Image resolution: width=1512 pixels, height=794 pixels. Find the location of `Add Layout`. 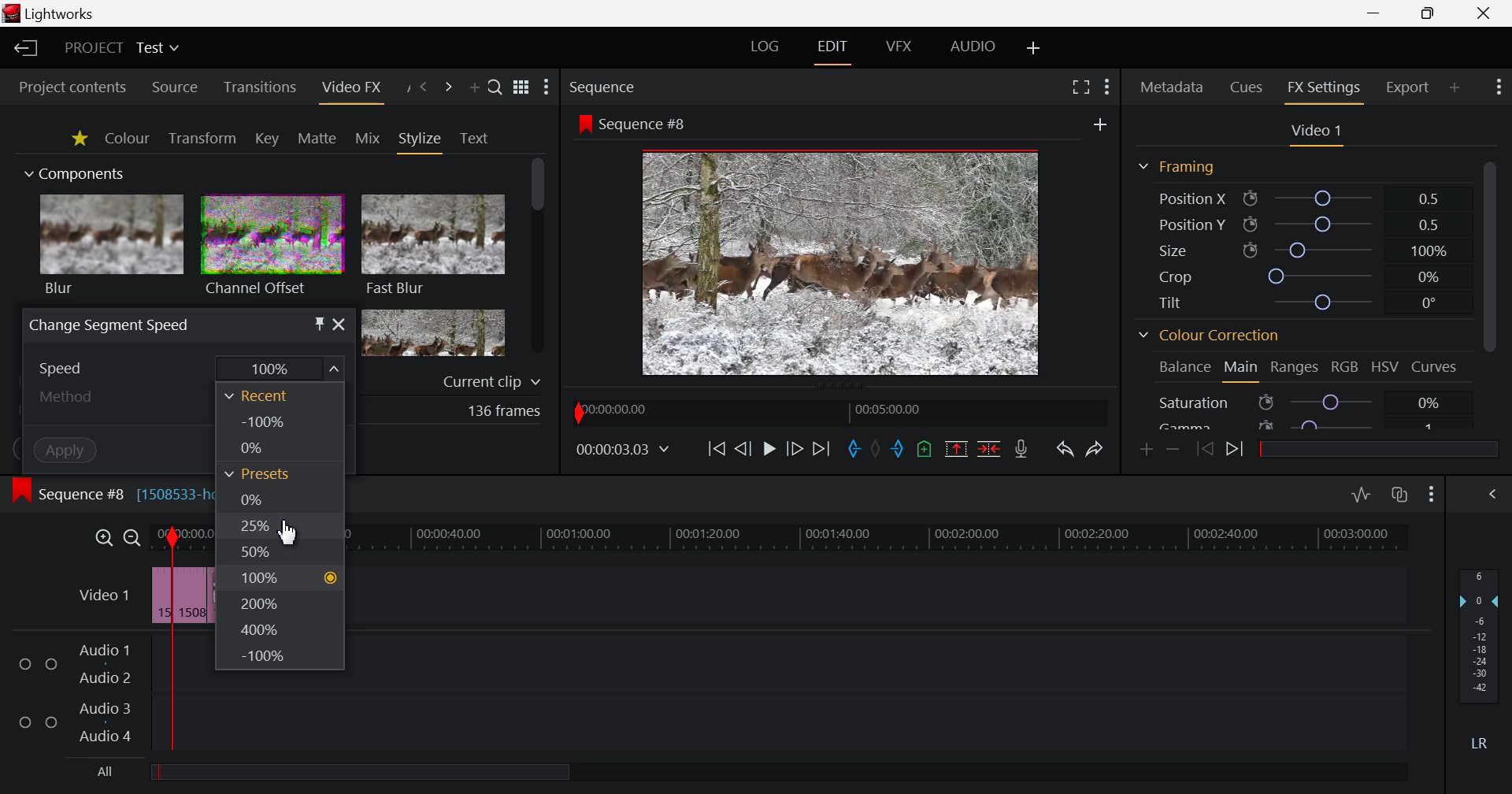

Add Layout is located at coordinates (1032, 48).